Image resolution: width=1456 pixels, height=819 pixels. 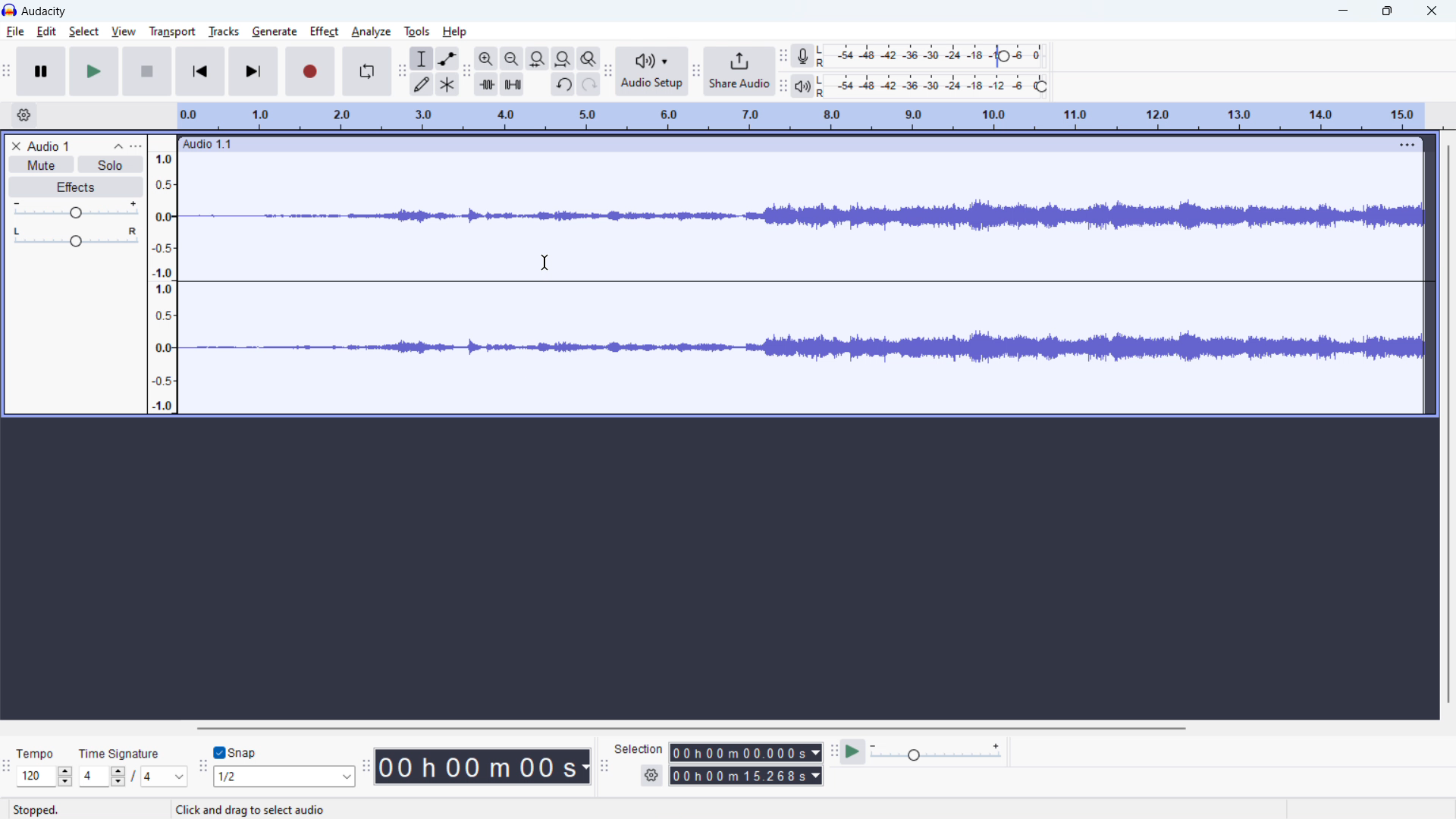 What do you see at coordinates (77, 187) in the screenshot?
I see `effects` at bounding box center [77, 187].